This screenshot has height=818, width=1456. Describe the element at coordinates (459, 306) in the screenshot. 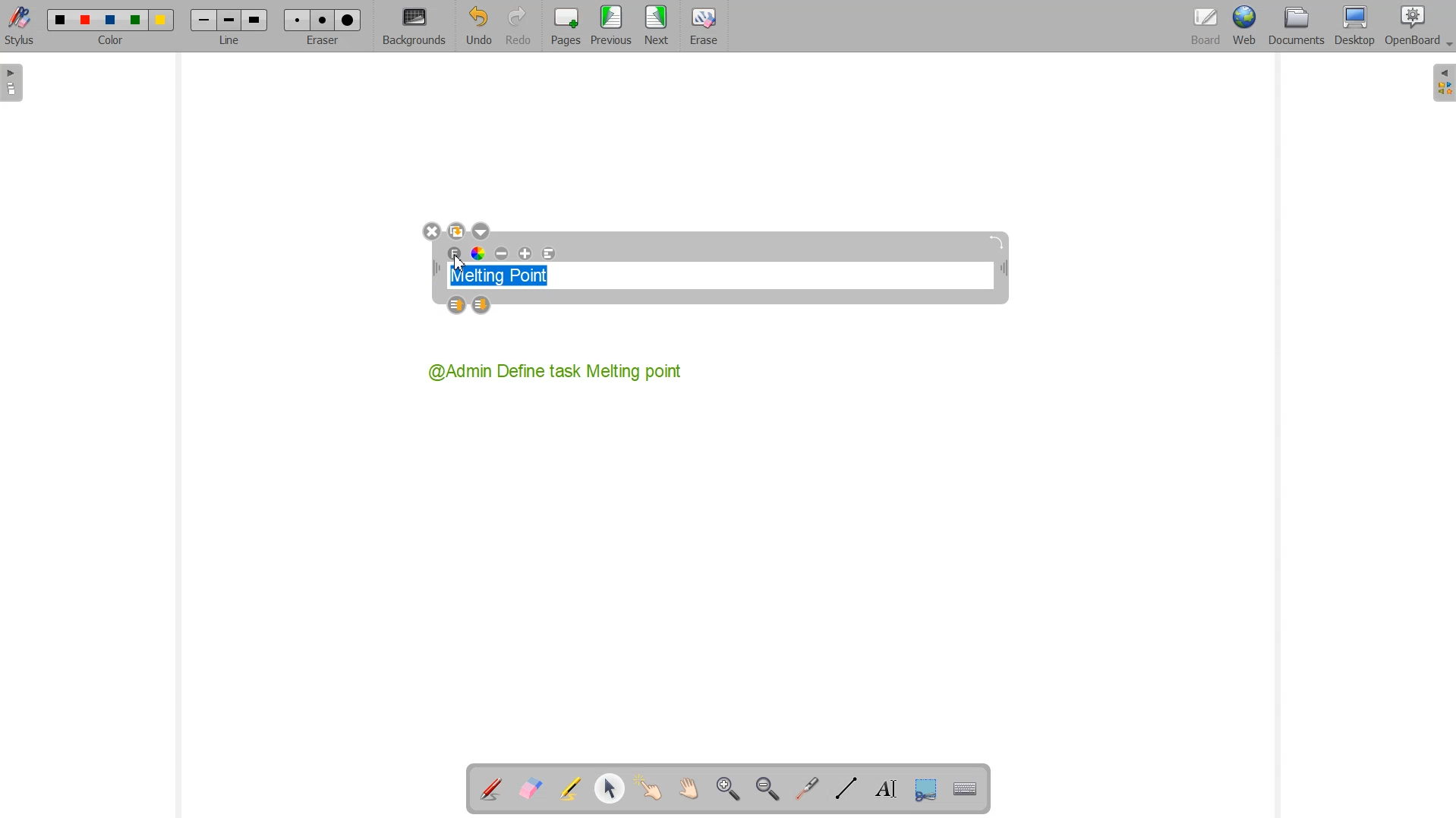

I see `Layer Up` at that location.